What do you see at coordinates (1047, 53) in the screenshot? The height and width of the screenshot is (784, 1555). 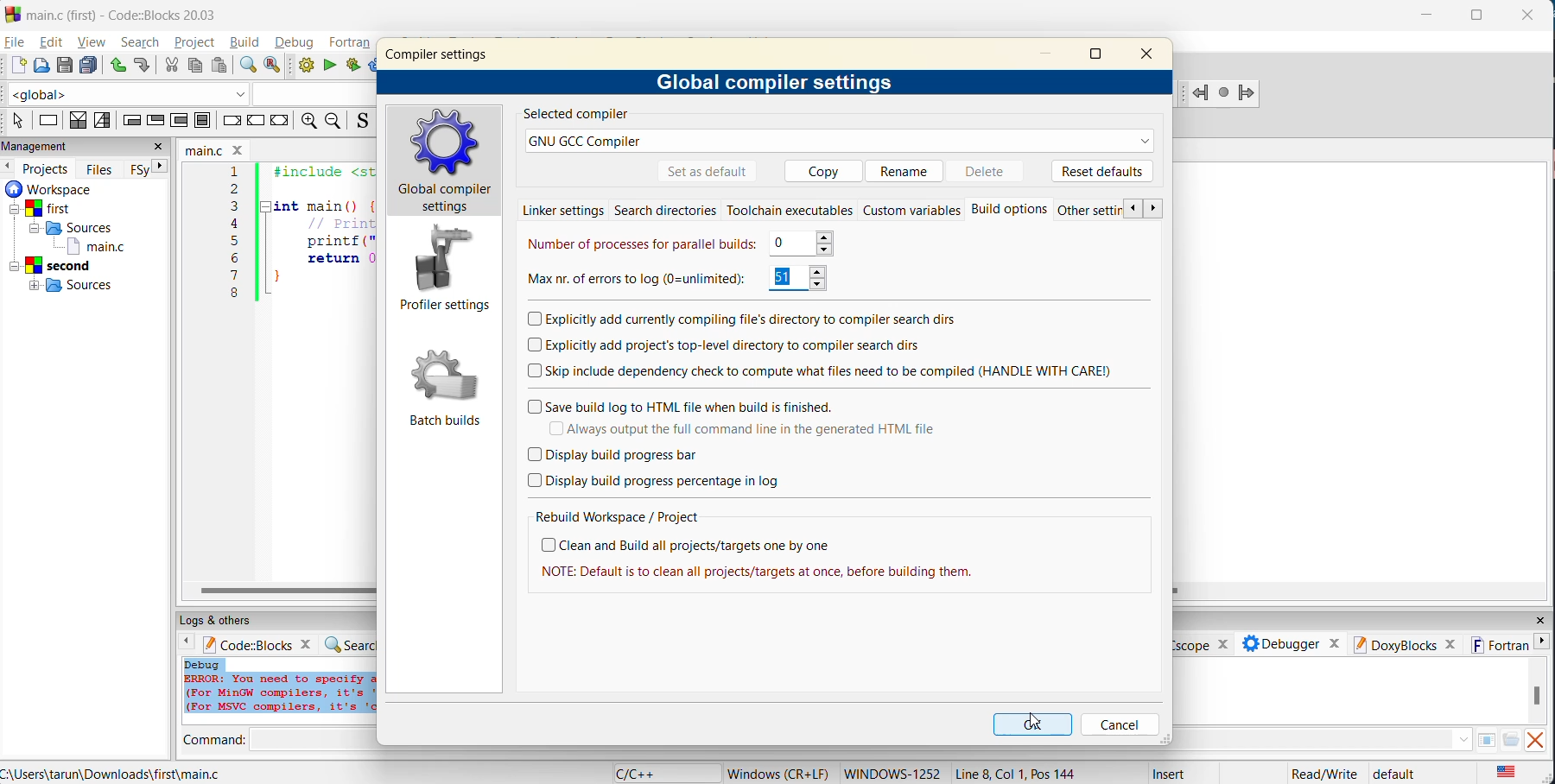 I see `minimize` at bounding box center [1047, 53].